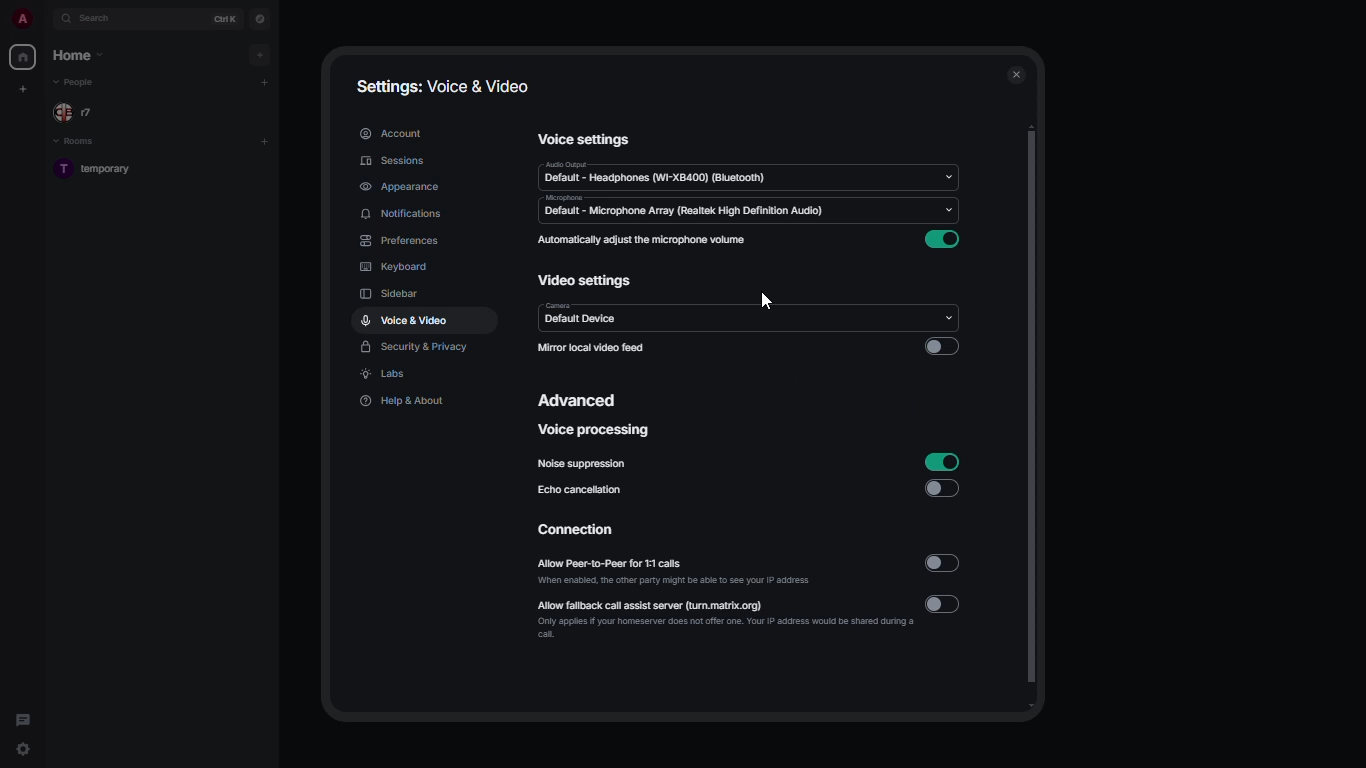 This screenshot has width=1366, height=768. What do you see at coordinates (581, 314) in the screenshot?
I see `camera default` at bounding box center [581, 314].